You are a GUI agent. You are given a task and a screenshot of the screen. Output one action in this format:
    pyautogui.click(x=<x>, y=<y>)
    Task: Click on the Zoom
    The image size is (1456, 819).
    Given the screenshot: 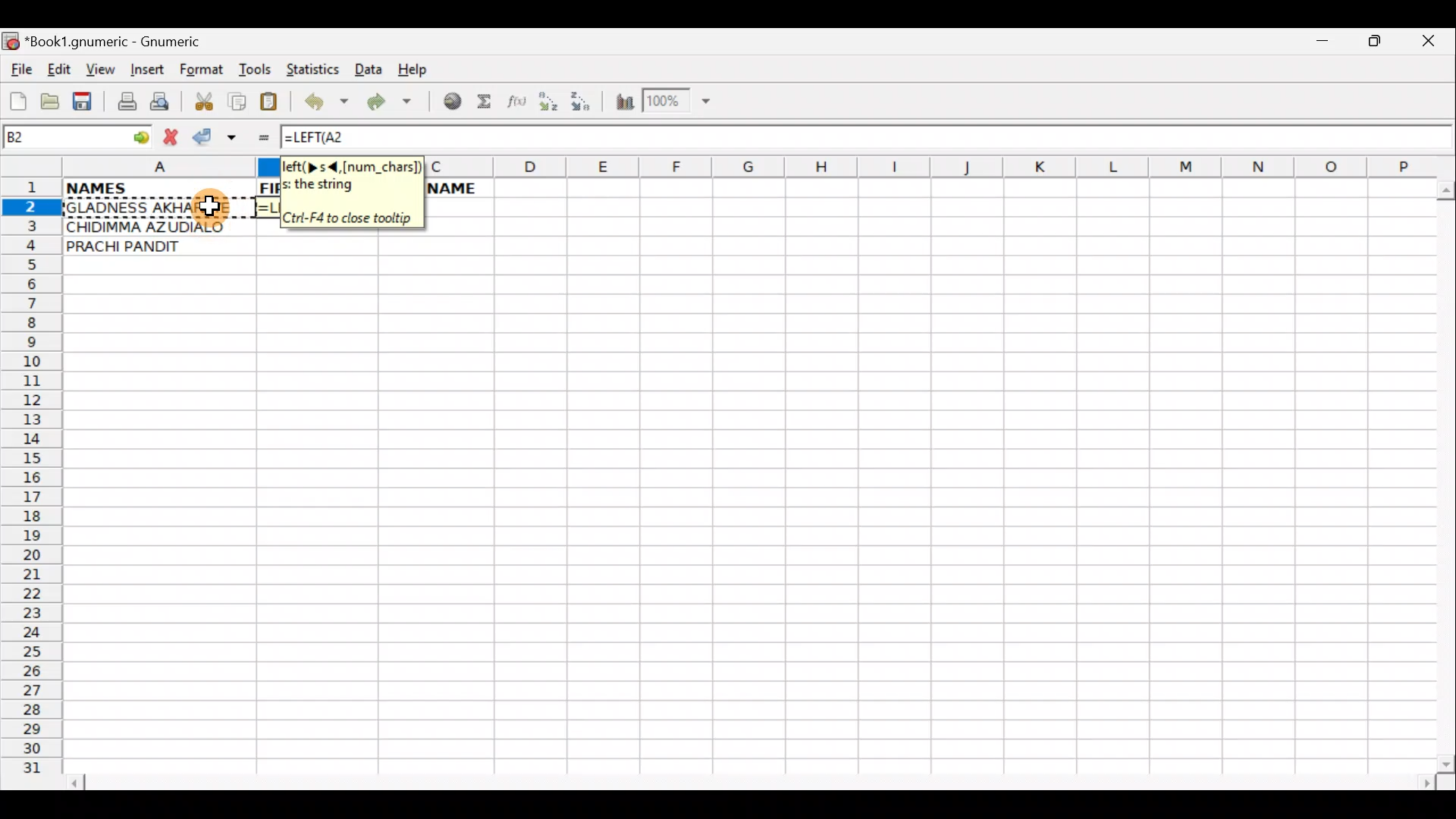 What is the action you would take?
    pyautogui.click(x=679, y=103)
    